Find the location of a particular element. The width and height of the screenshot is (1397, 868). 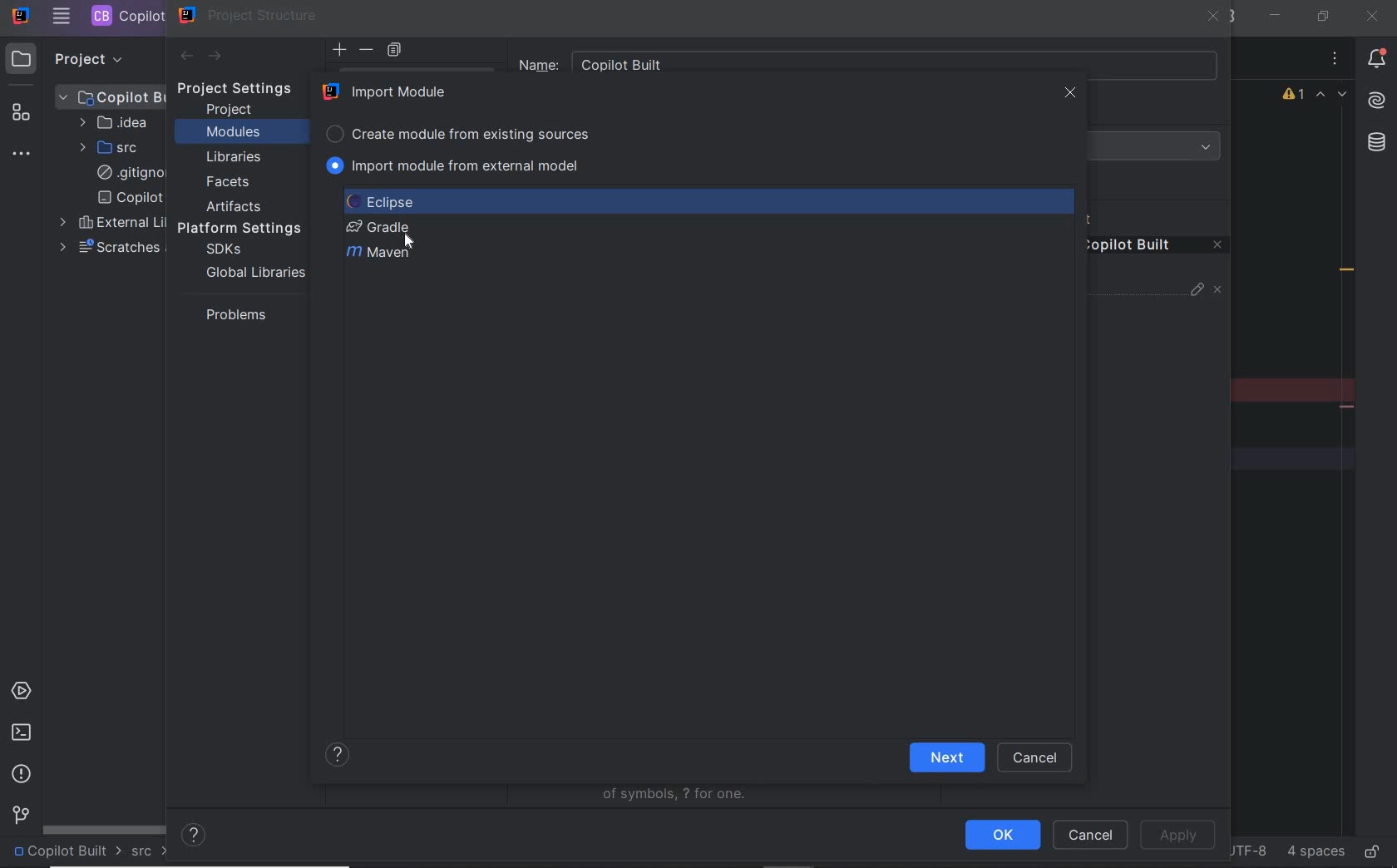

terminal is located at coordinates (21, 732).